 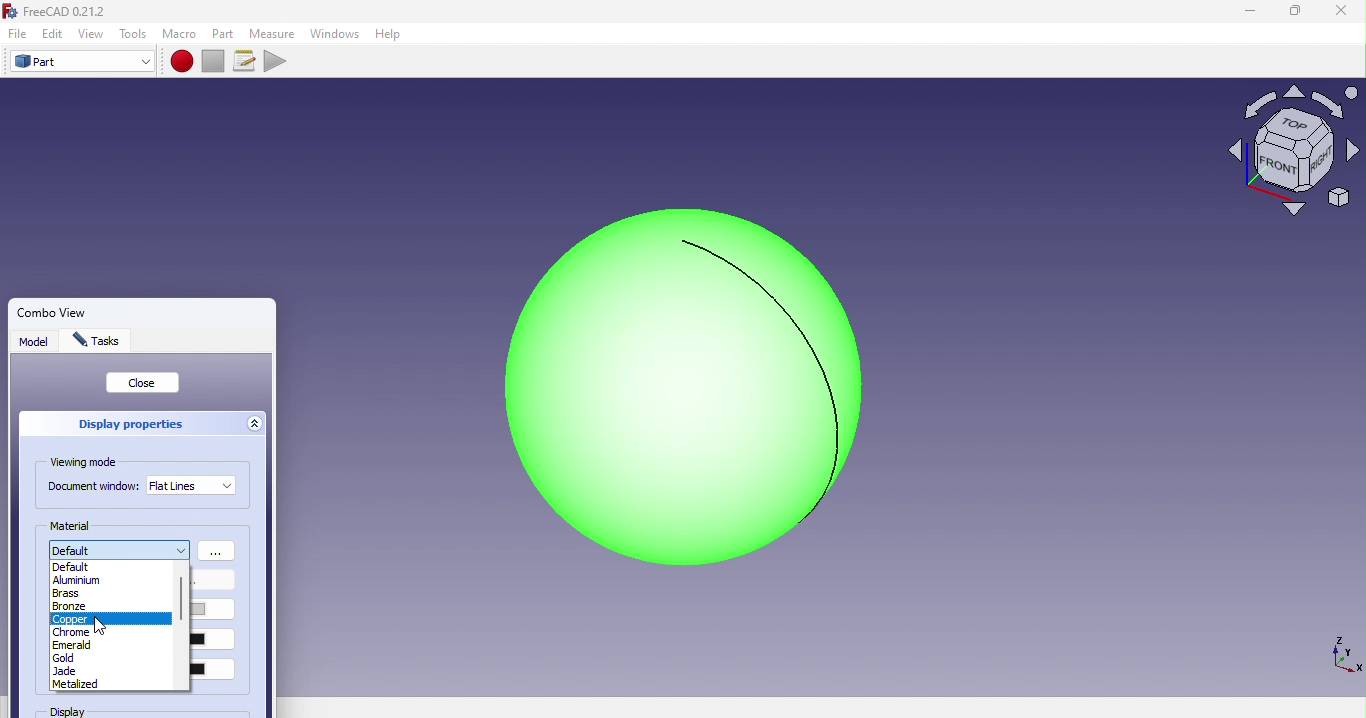 I want to click on Drop down menu, so click(x=192, y=485).